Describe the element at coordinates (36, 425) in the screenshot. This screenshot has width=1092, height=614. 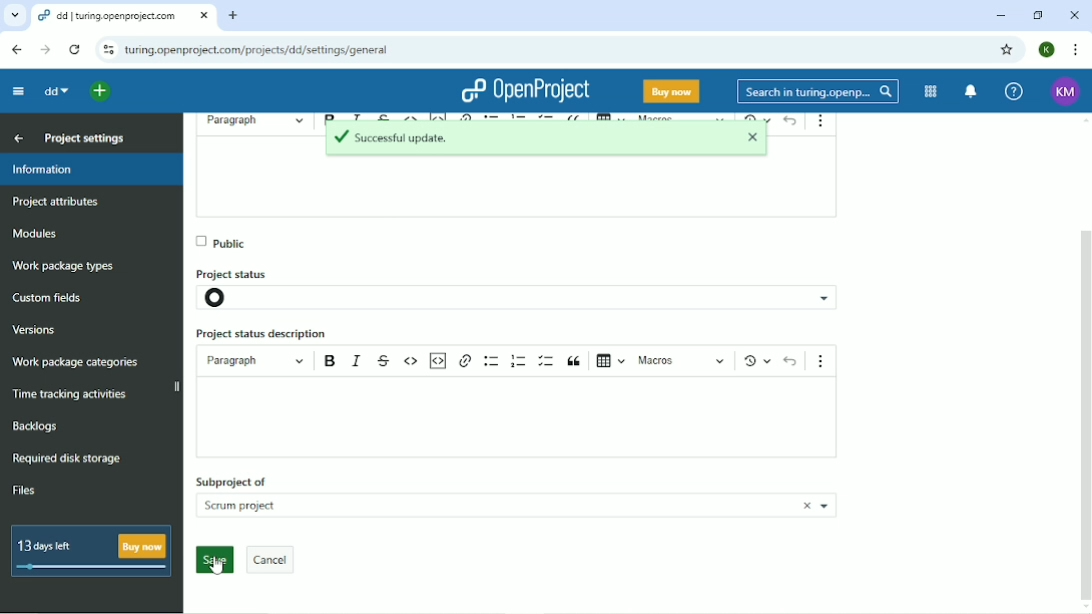
I see `Backlogs` at that location.